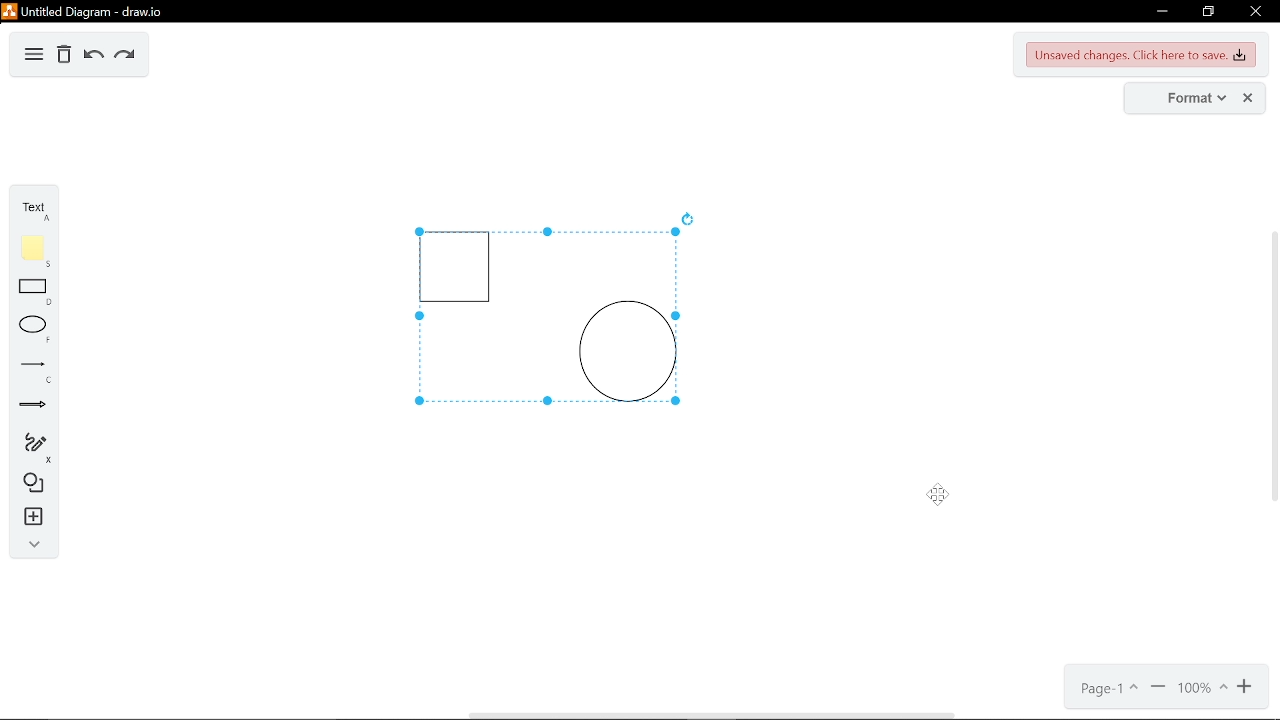  I want to click on untitled diagram - draw.io, so click(84, 10).